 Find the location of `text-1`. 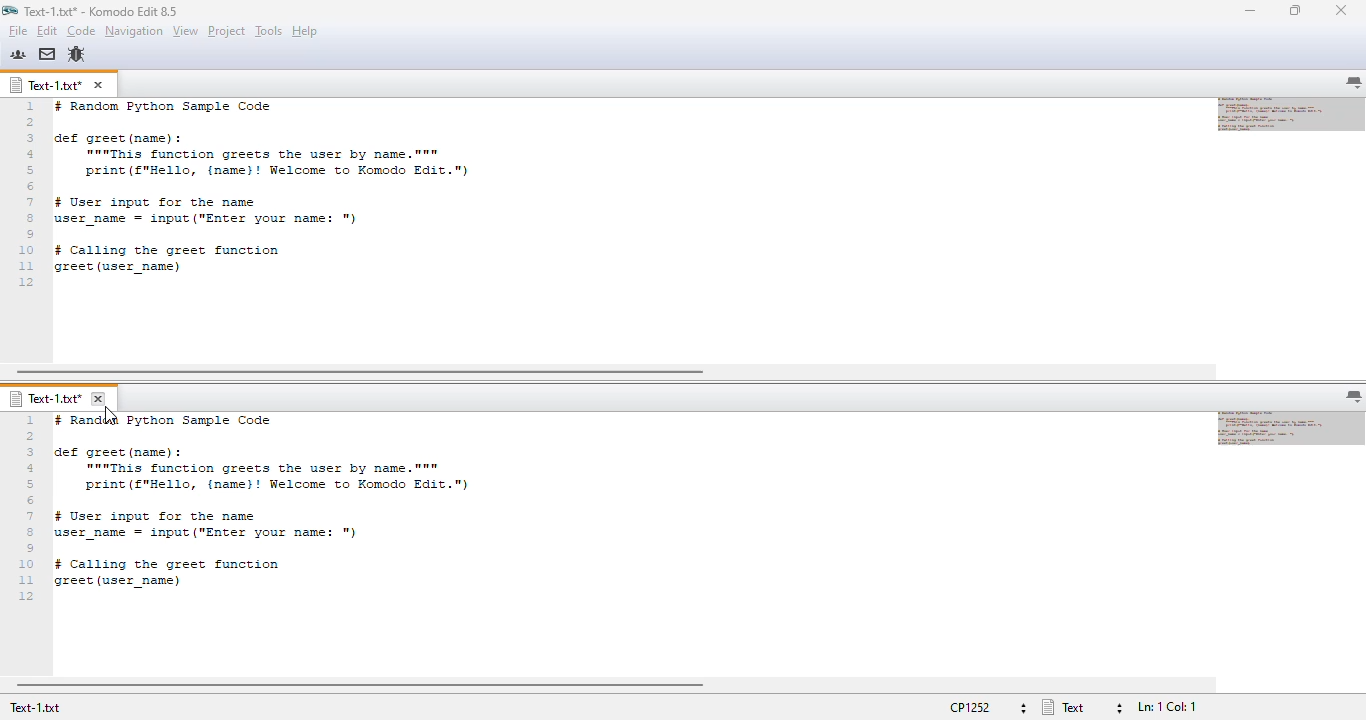

text-1 is located at coordinates (36, 708).